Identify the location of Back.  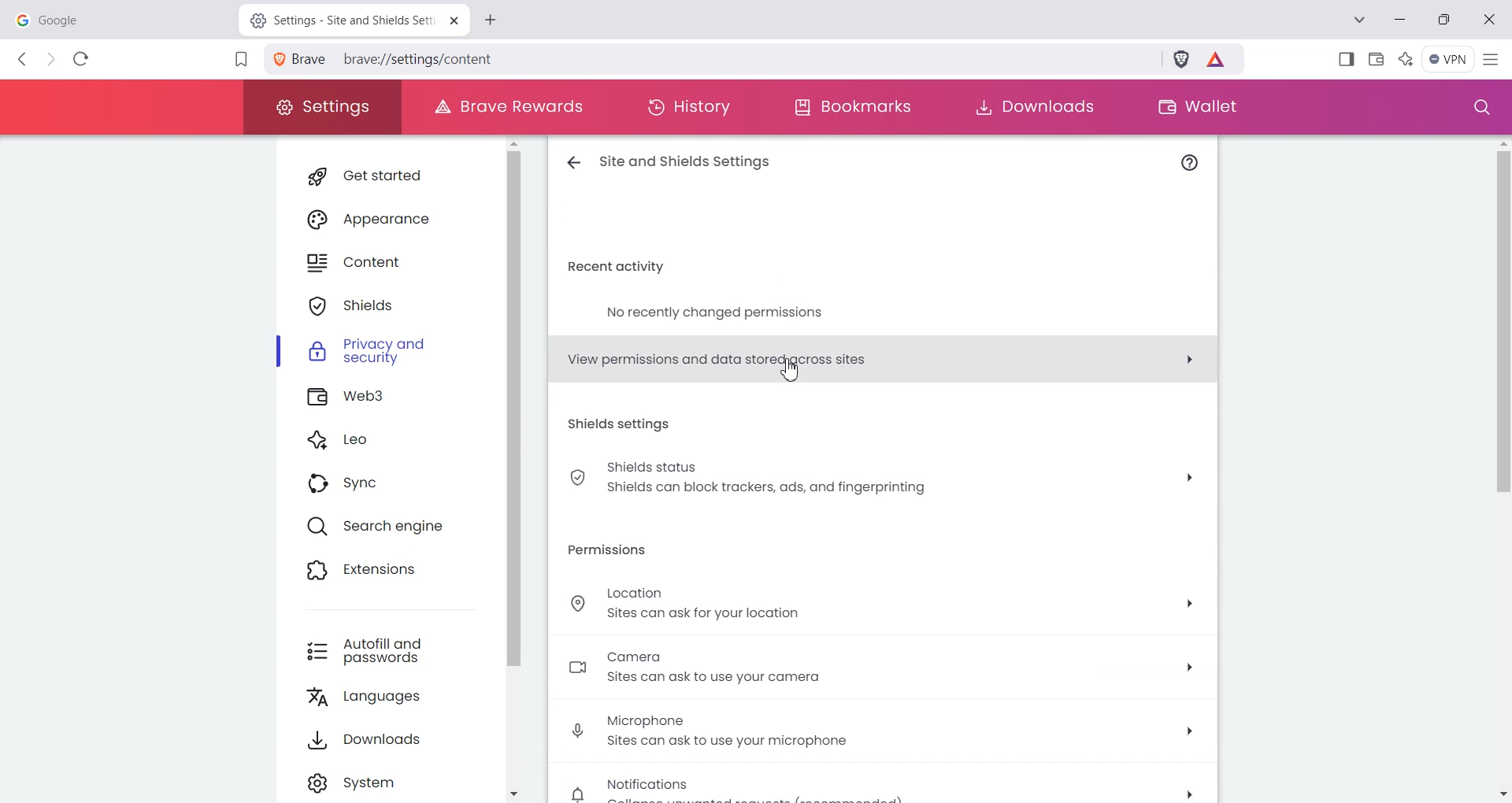
(24, 59).